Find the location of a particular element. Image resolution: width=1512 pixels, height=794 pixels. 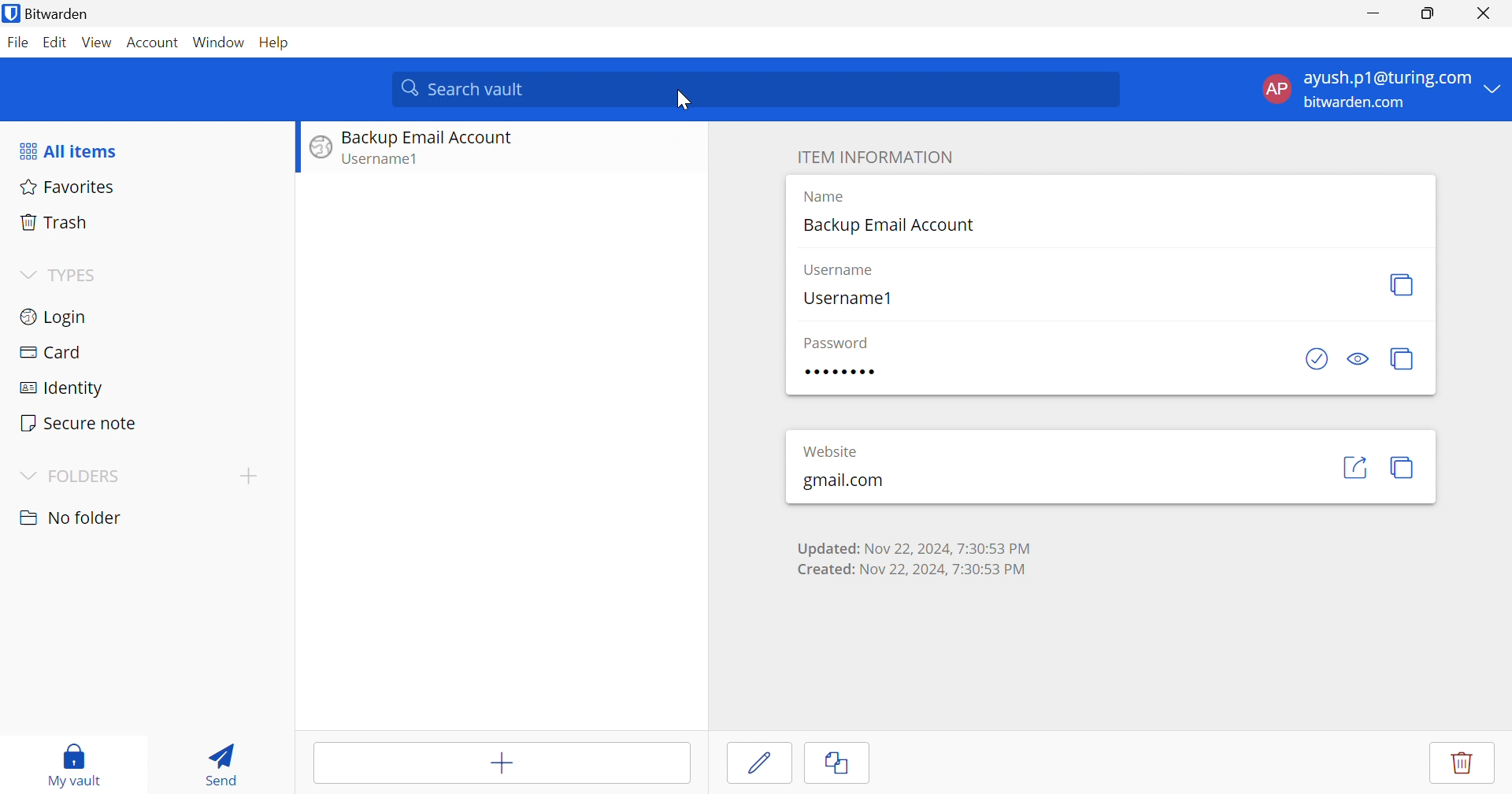

Edit is located at coordinates (55, 42).